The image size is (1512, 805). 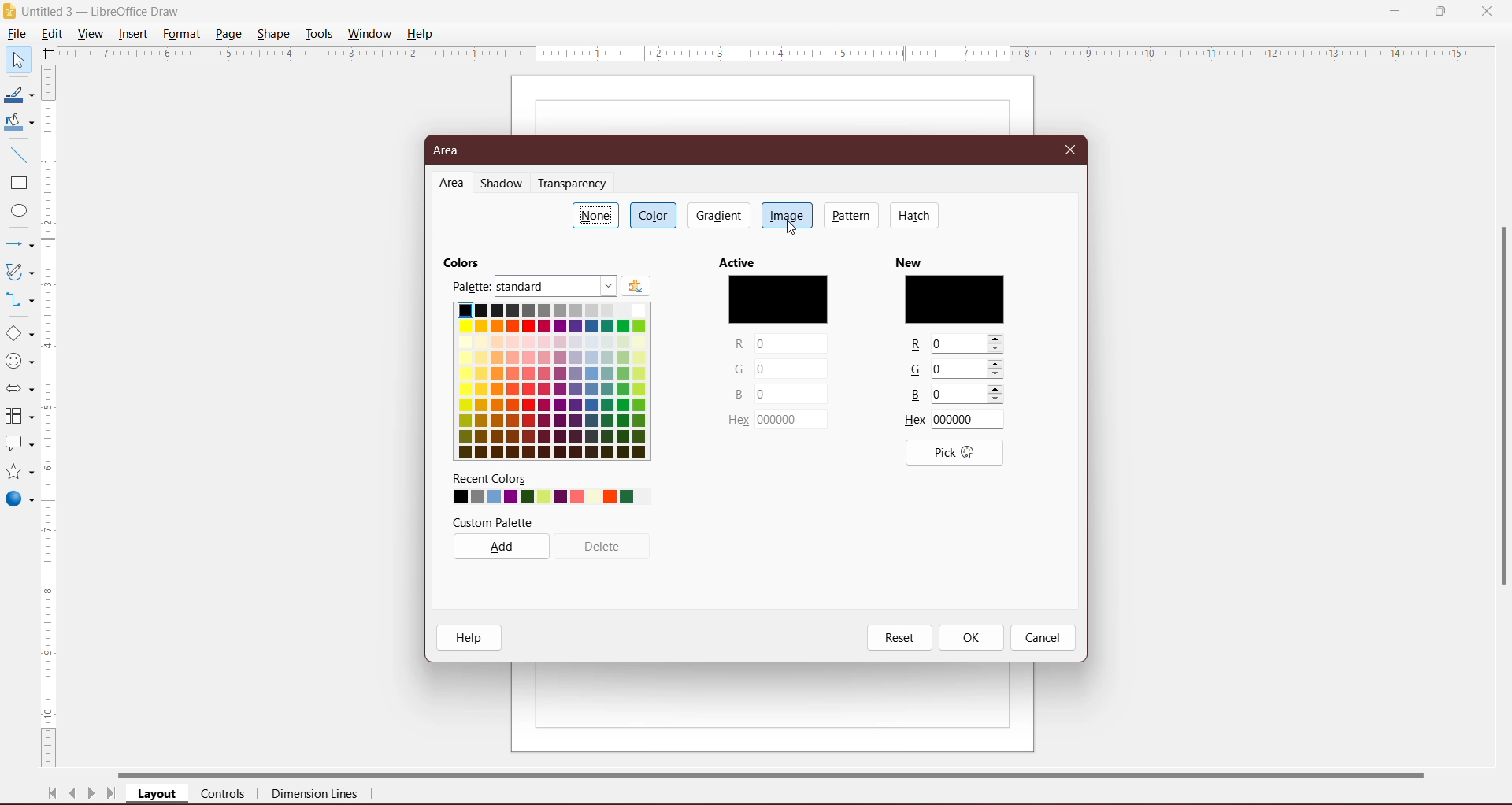 What do you see at coordinates (74, 796) in the screenshot?
I see `Scroll to previous page` at bounding box center [74, 796].